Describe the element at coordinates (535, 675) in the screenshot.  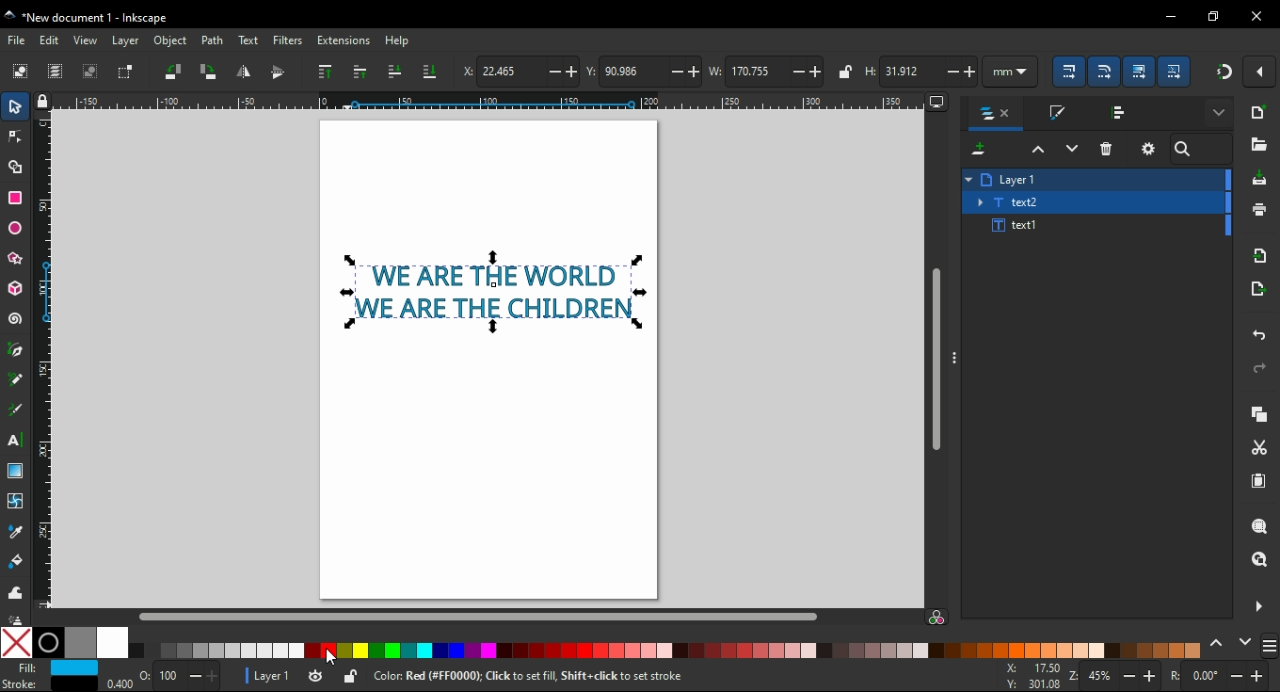
I see `keyboard shortcuts and usage hints` at that location.